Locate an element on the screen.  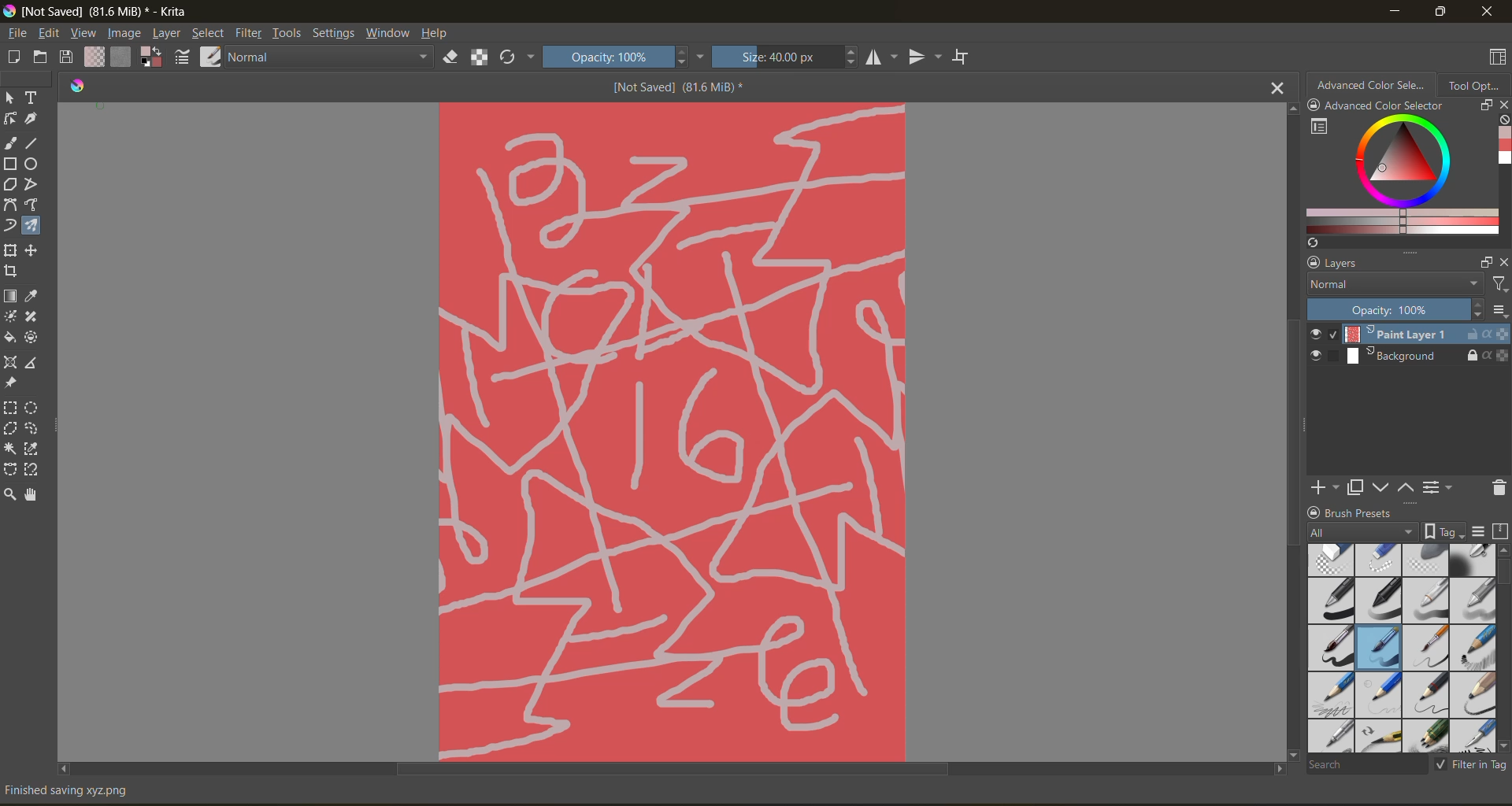
tool is located at coordinates (10, 120).